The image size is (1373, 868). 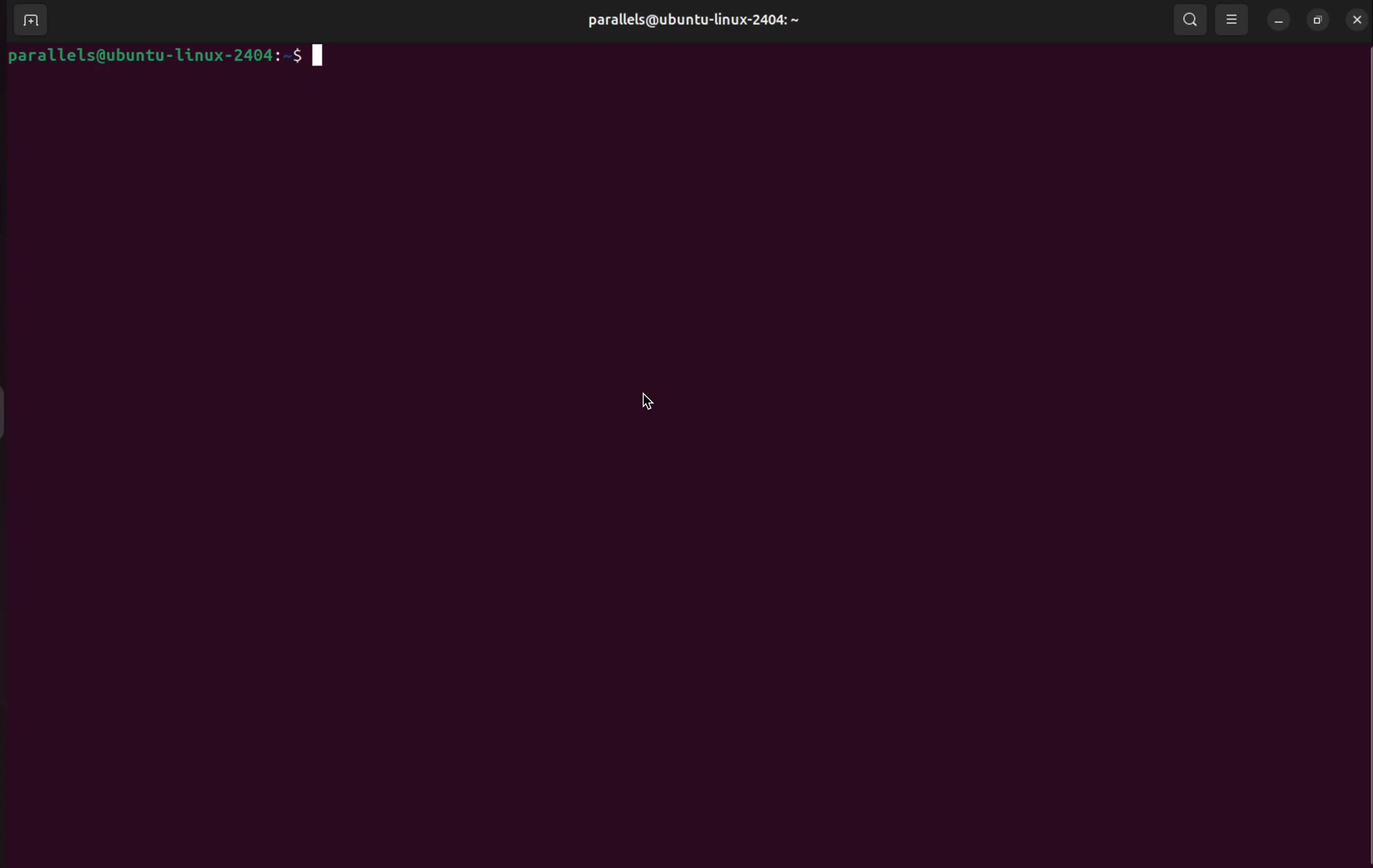 I want to click on user profile, so click(x=690, y=19).